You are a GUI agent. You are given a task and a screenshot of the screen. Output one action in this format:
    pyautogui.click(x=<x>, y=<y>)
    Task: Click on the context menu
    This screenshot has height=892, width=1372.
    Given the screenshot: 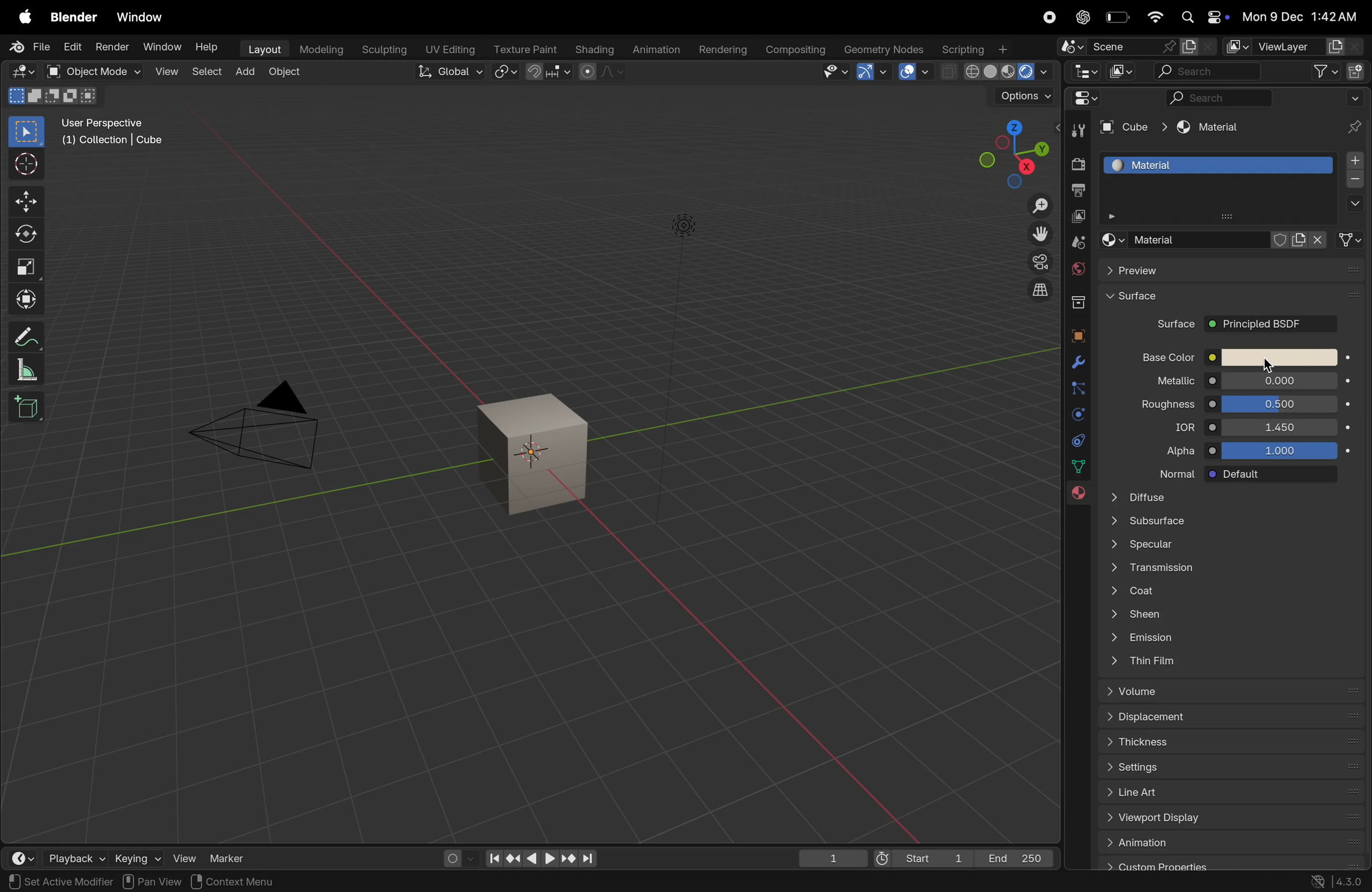 What is the action you would take?
    pyautogui.click(x=247, y=881)
    